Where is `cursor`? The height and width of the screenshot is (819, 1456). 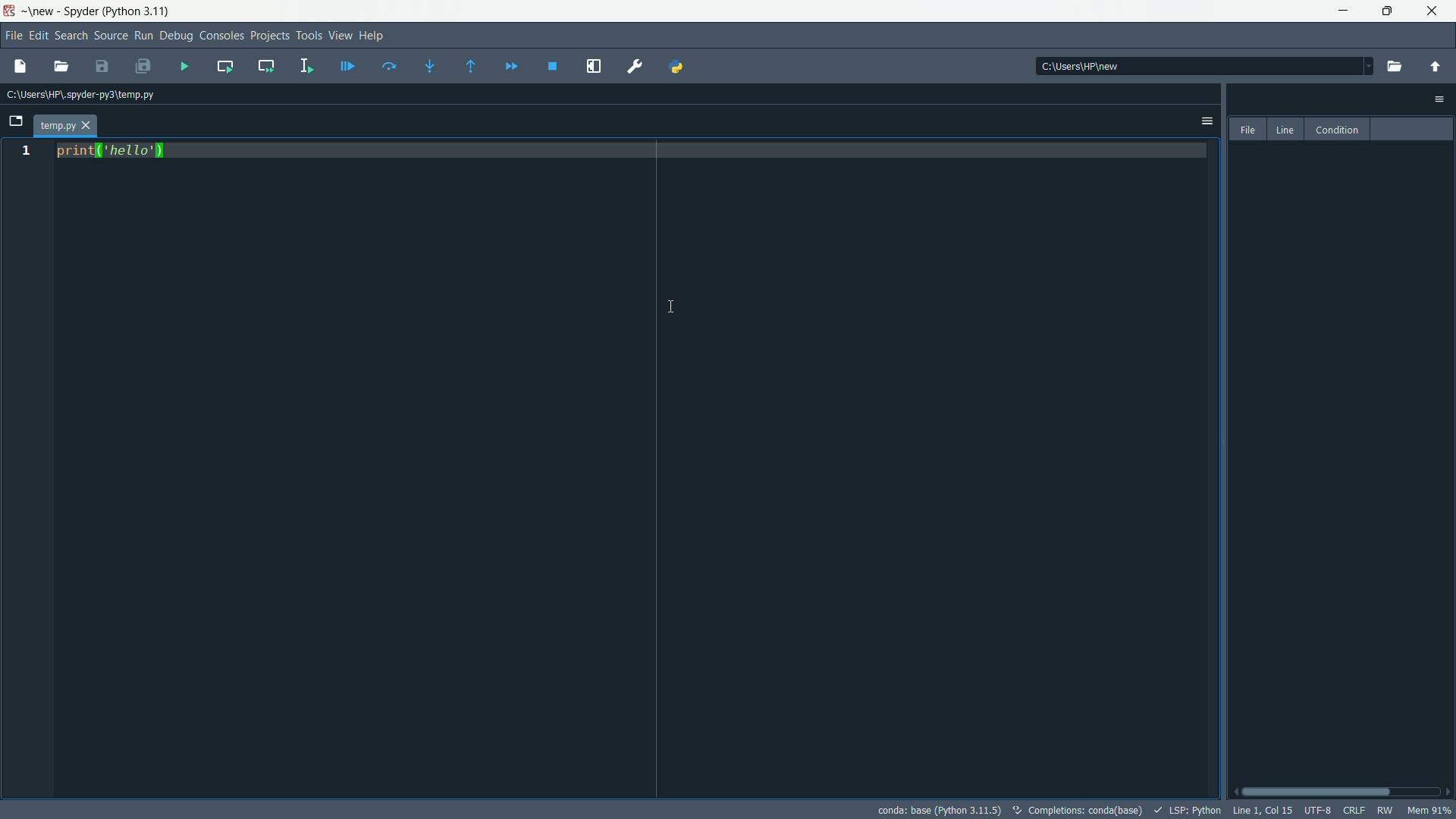
cursor is located at coordinates (675, 306).